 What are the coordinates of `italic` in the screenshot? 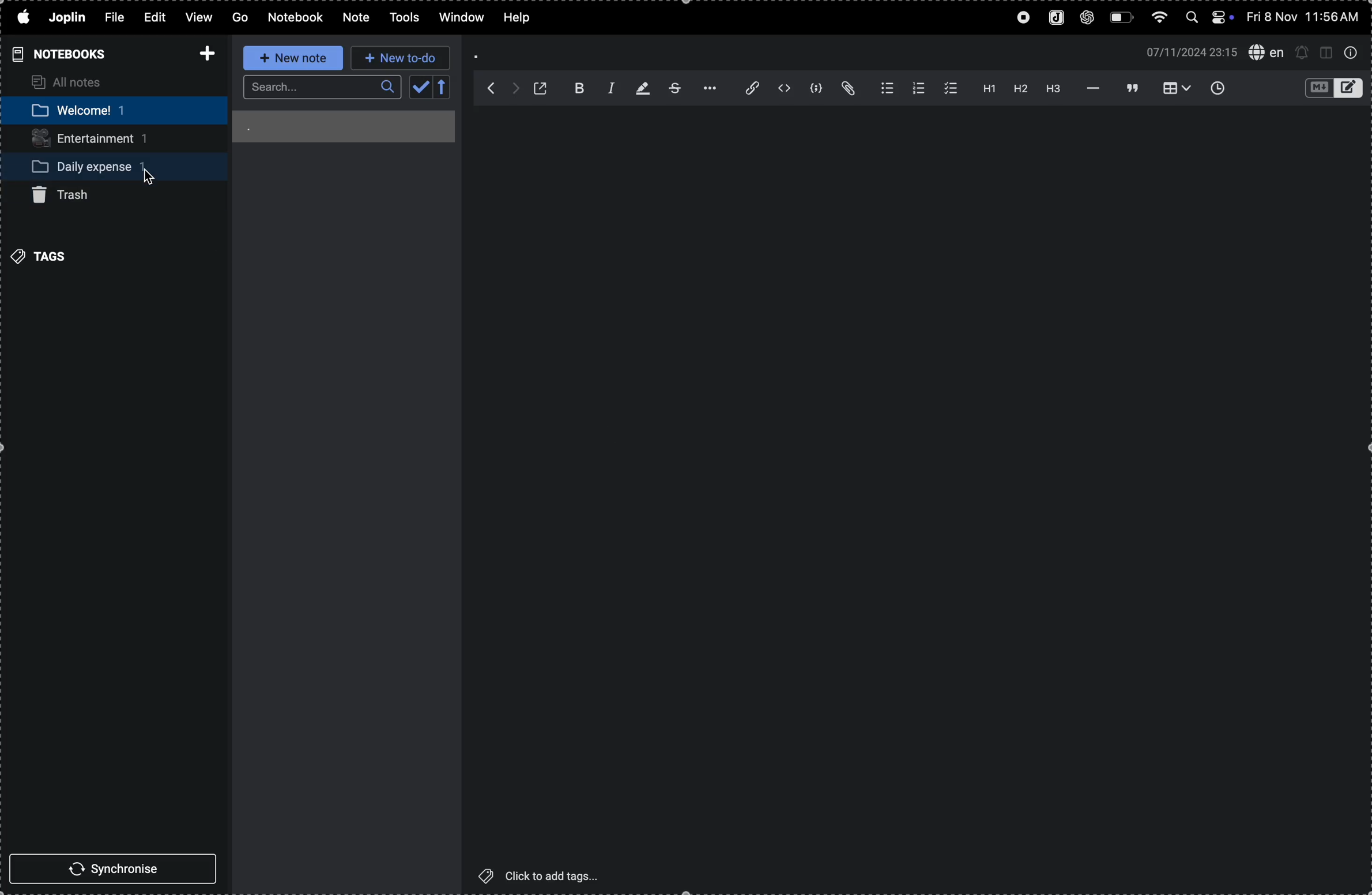 It's located at (608, 87).